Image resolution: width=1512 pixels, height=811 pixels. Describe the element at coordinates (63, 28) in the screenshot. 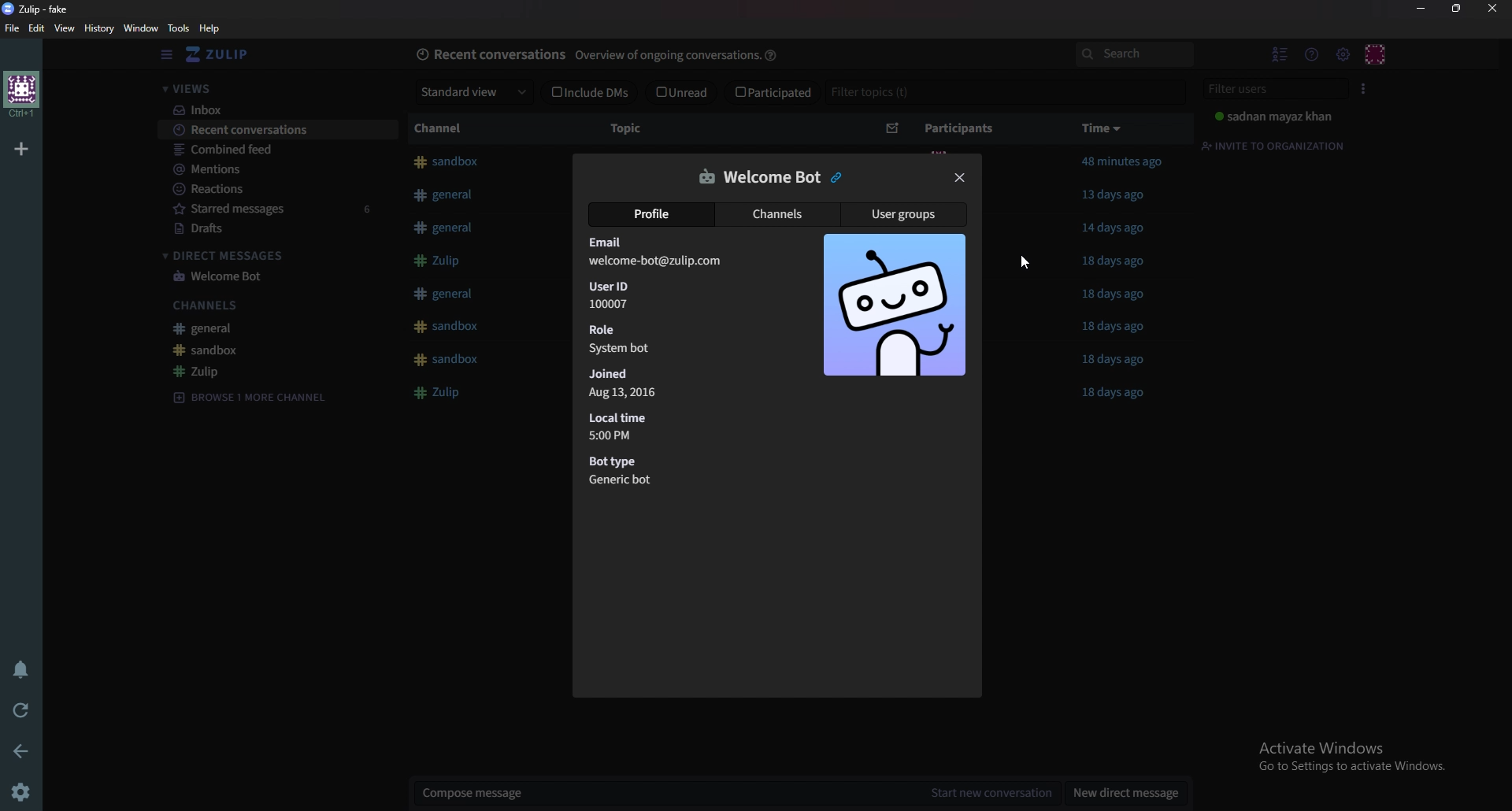

I see `View` at that location.